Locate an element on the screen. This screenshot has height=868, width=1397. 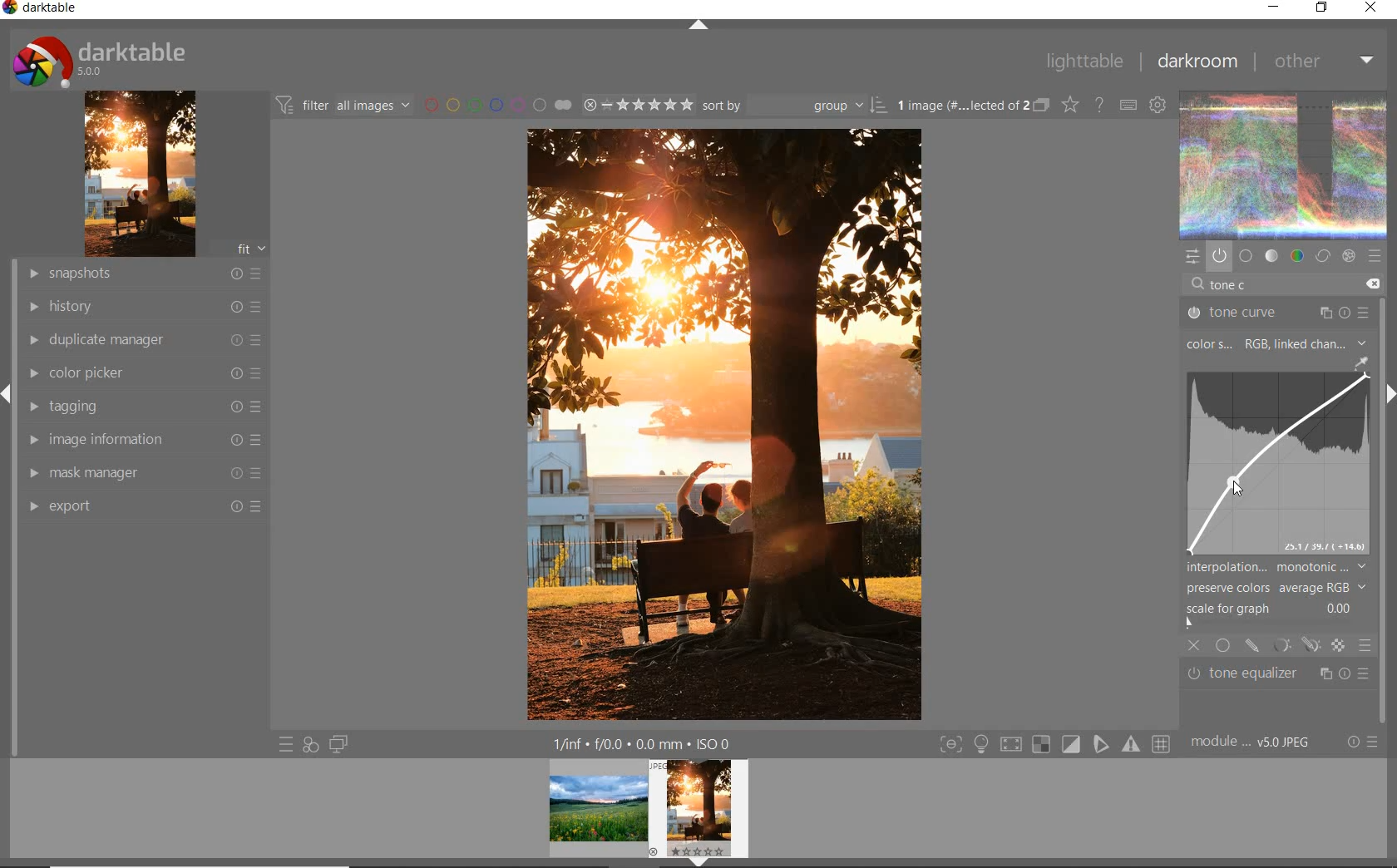
quick access panel is located at coordinates (1193, 255).